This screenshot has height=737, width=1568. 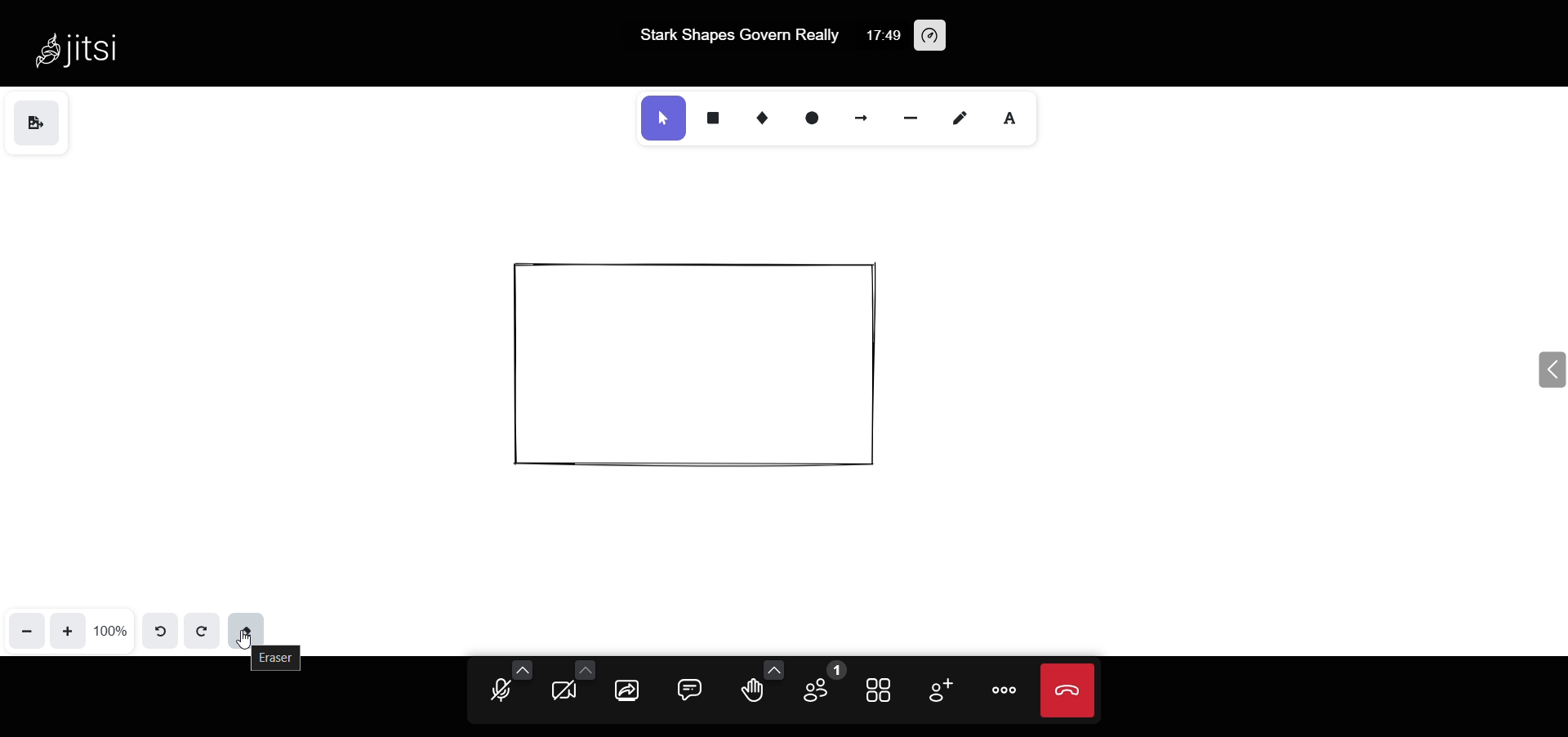 What do you see at coordinates (819, 683) in the screenshot?
I see `participant` at bounding box center [819, 683].